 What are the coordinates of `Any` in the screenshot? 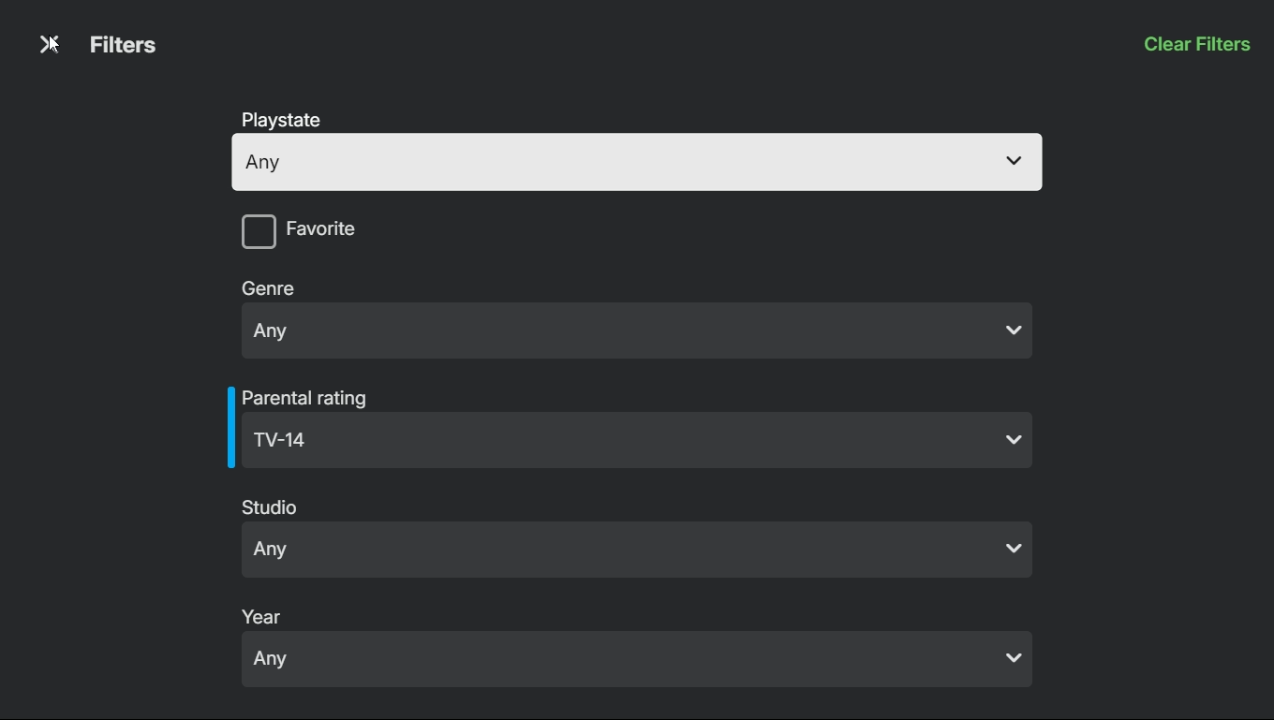 It's located at (630, 442).